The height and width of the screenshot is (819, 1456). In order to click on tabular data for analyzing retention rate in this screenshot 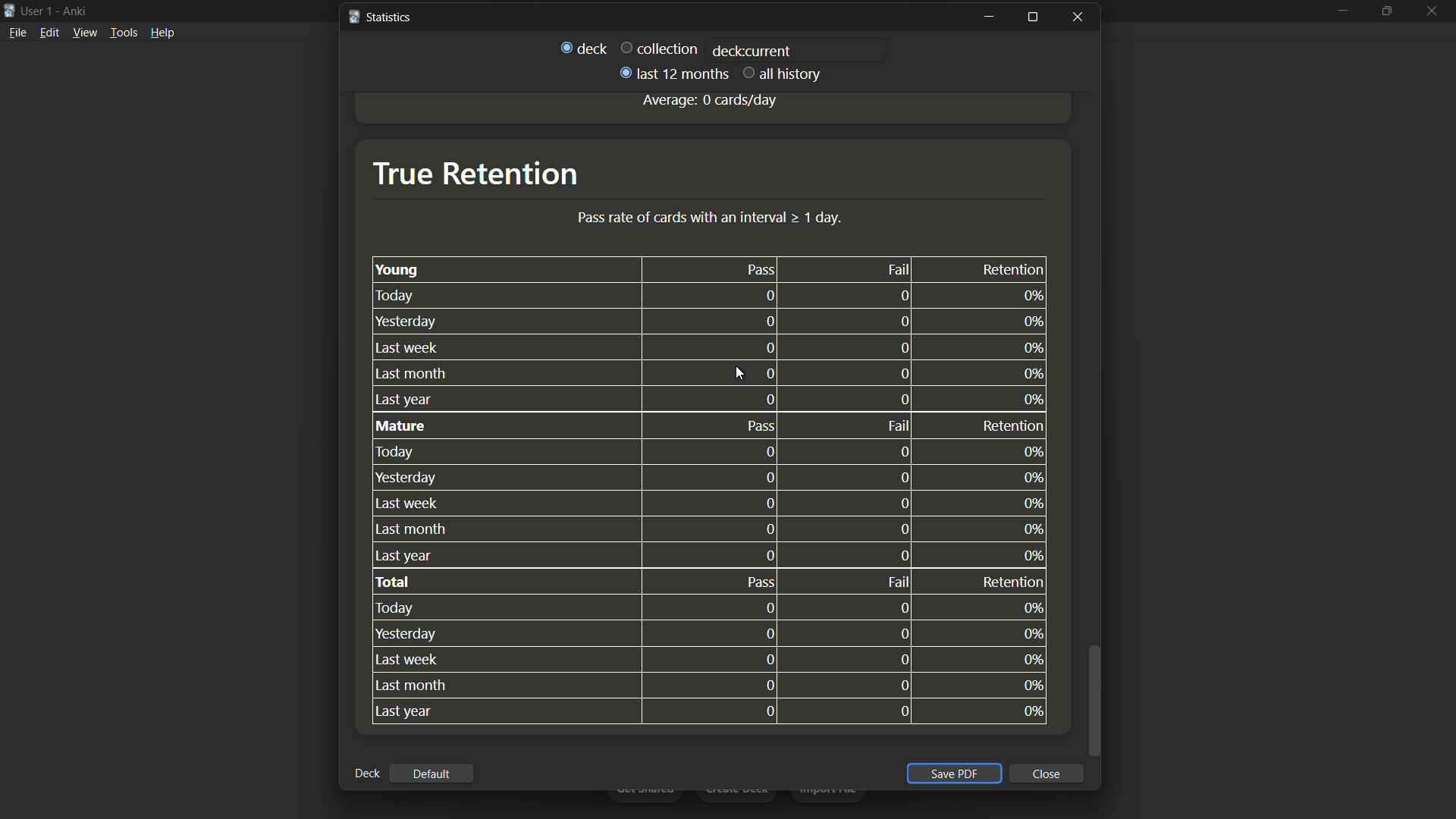, I will do `click(708, 492)`.